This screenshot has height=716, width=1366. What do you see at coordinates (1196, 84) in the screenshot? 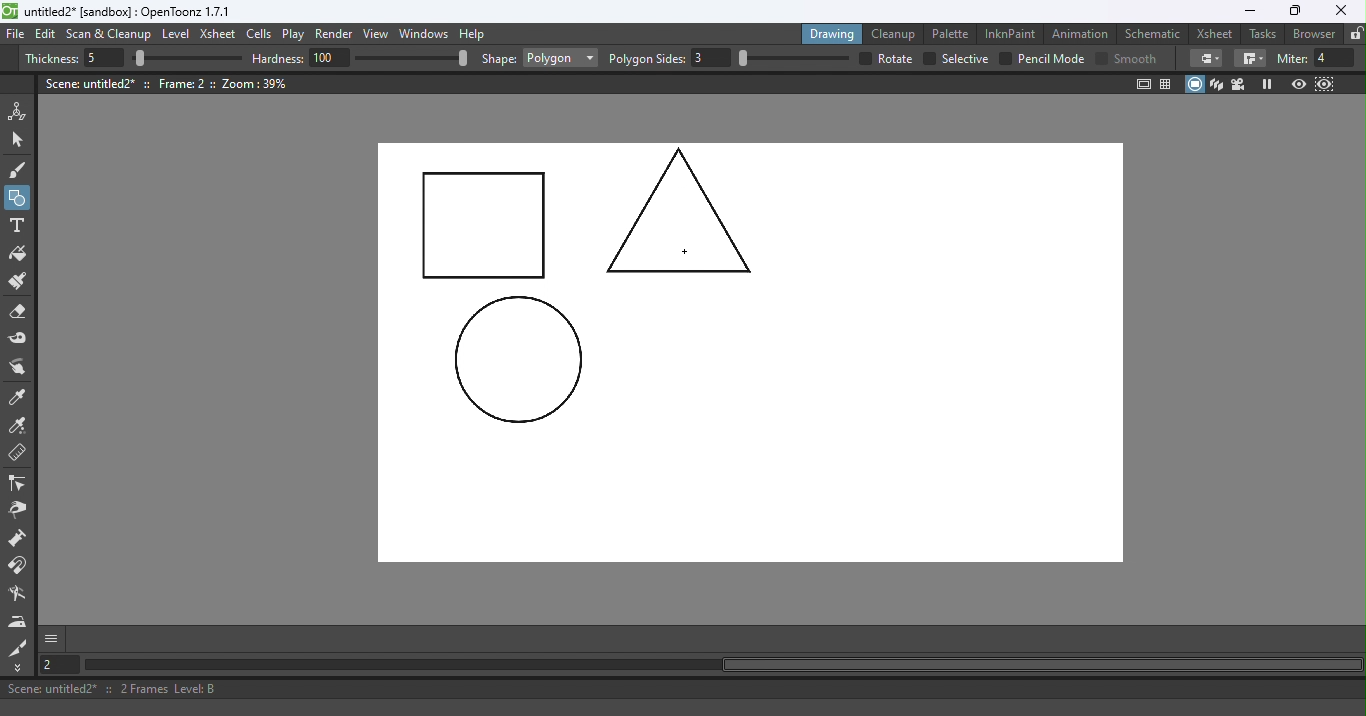
I see `Camera stand view` at bounding box center [1196, 84].